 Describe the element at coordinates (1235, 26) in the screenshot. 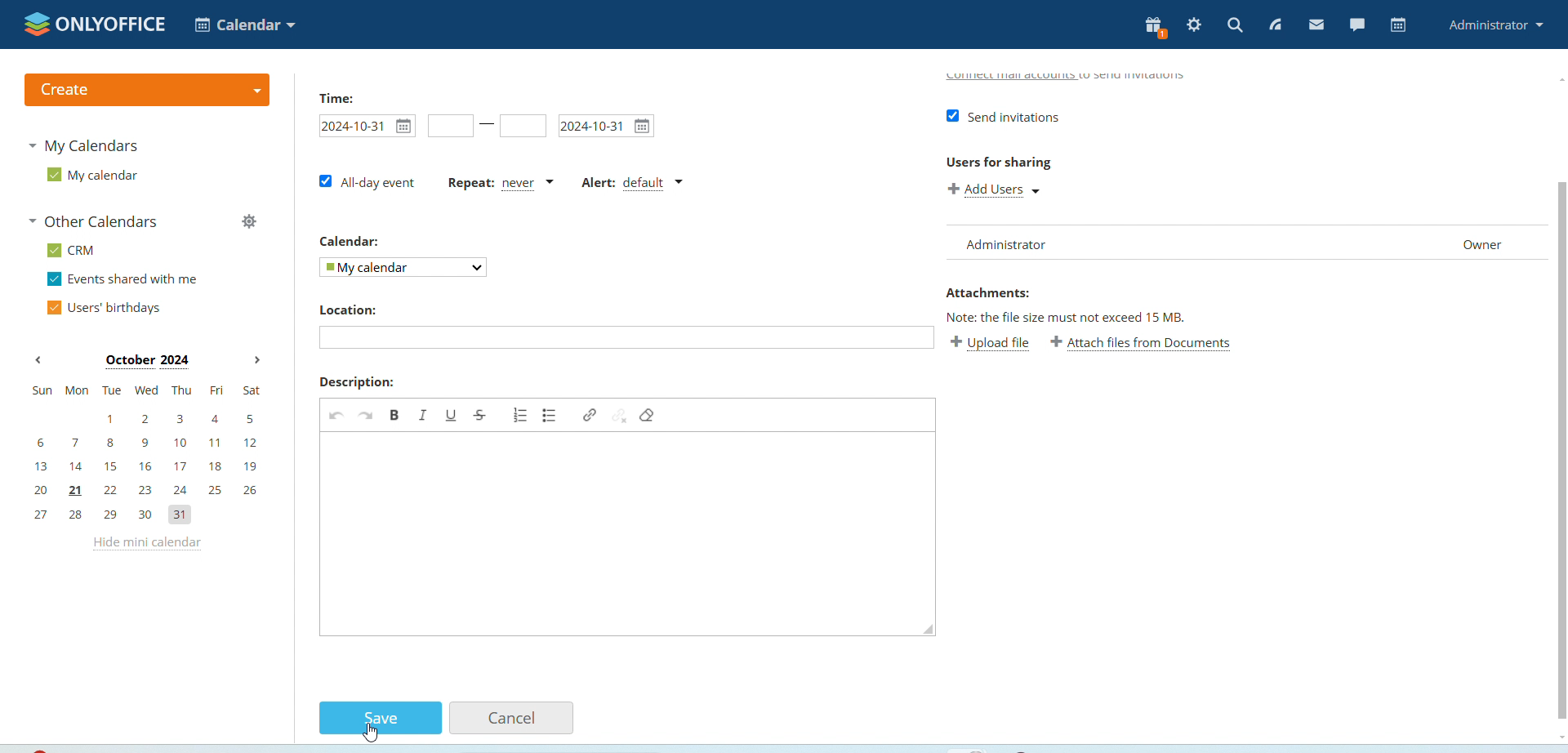

I see `search` at that location.